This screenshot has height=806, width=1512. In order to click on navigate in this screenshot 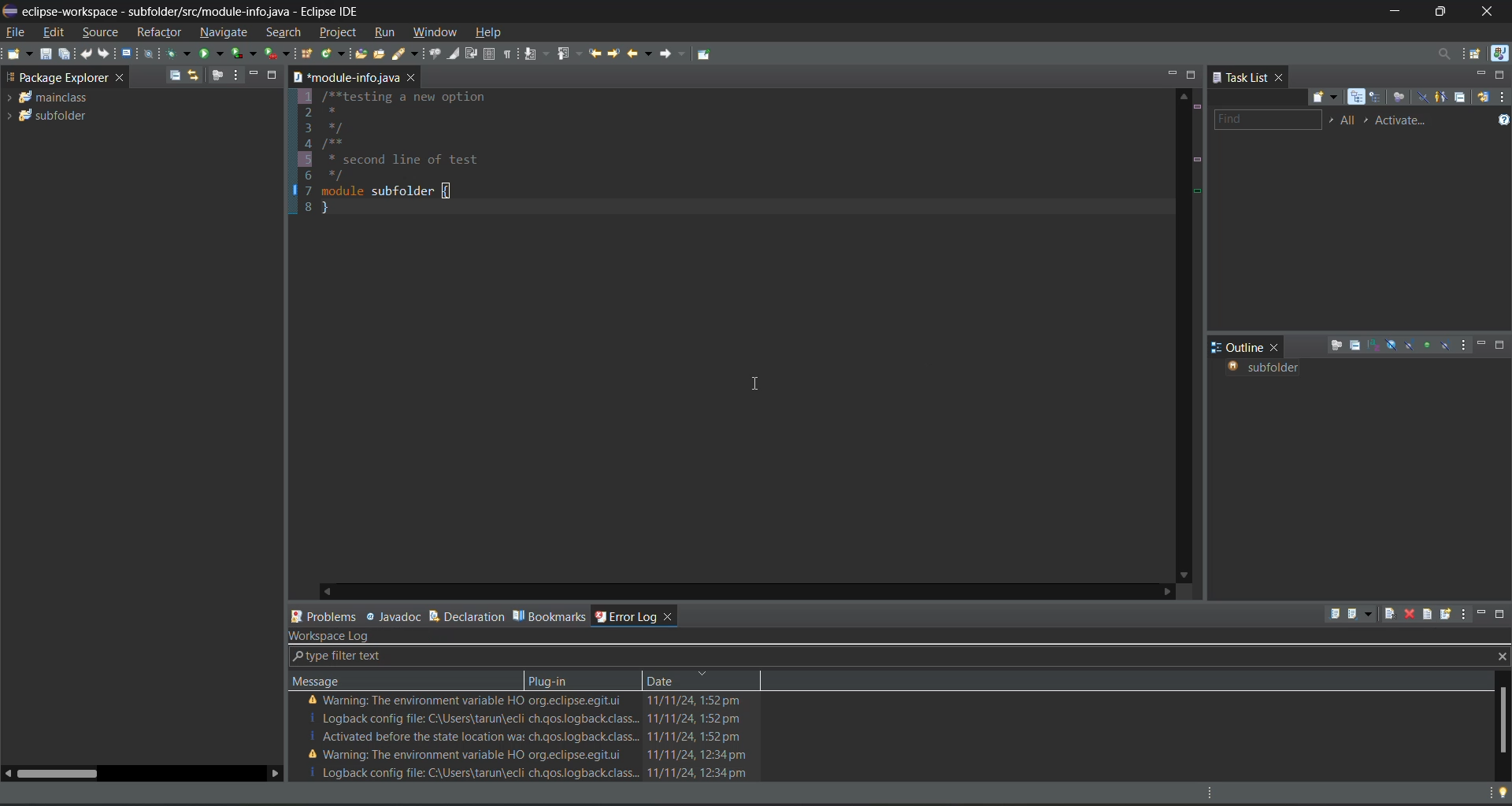, I will do `click(226, 32)`.